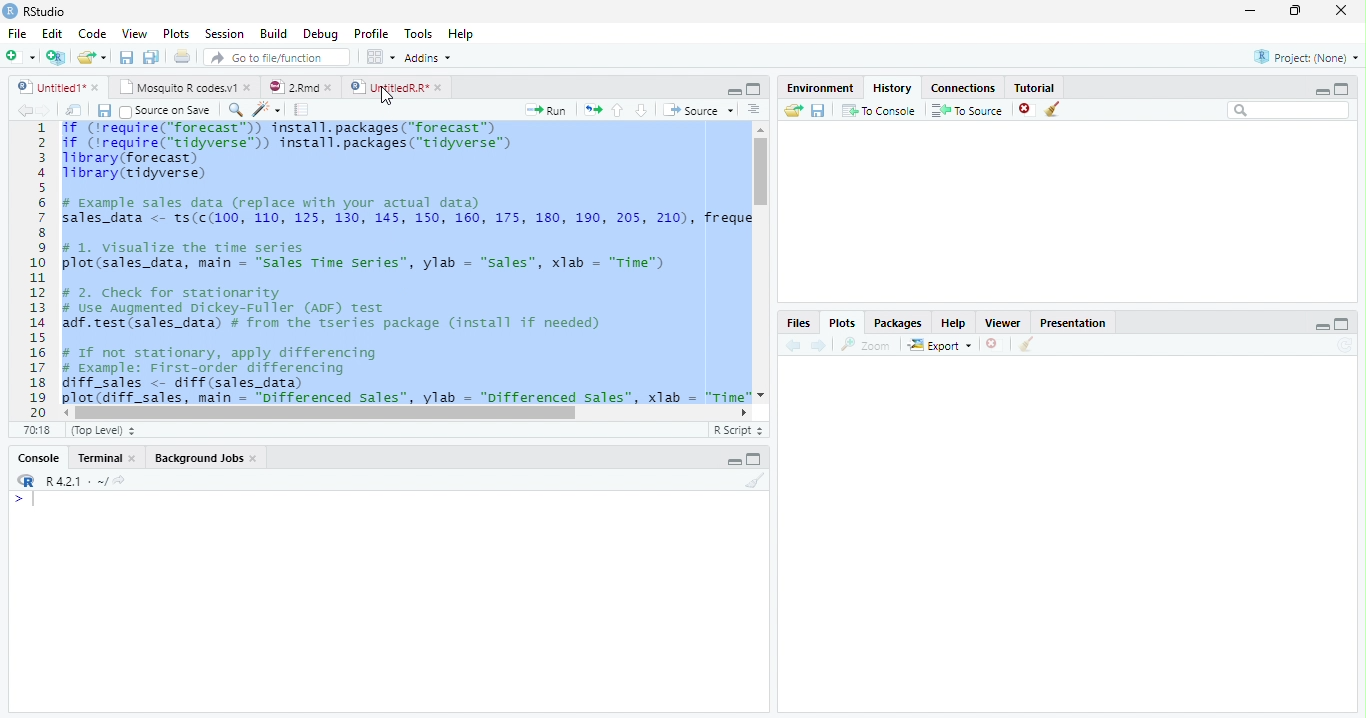 Image resolution: width=1366 pixels, height=718 pixels. I want to click on Go to file/function, so click(277, 57).